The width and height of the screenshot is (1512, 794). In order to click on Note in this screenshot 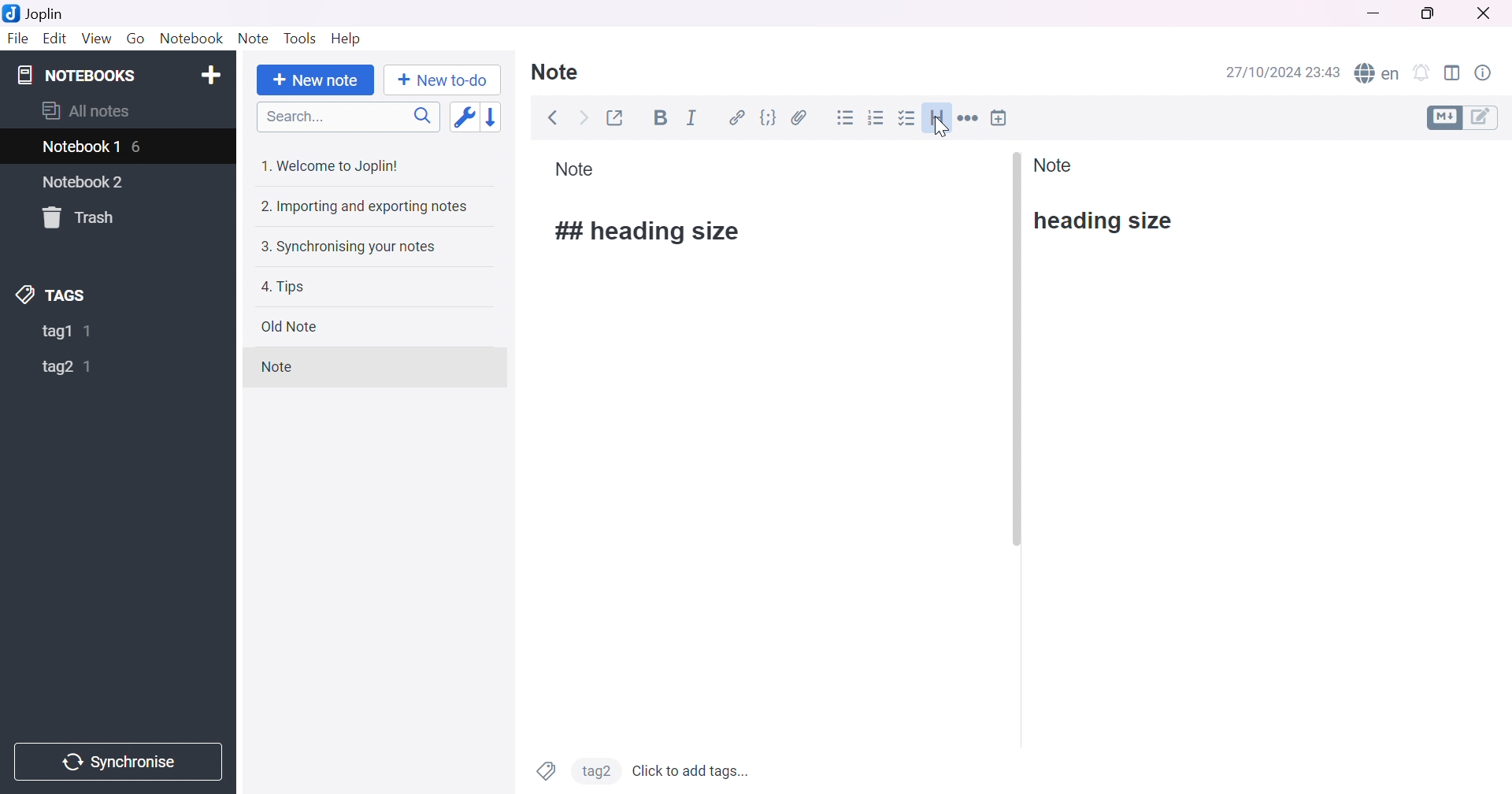, I will do `click(275, 365)`.